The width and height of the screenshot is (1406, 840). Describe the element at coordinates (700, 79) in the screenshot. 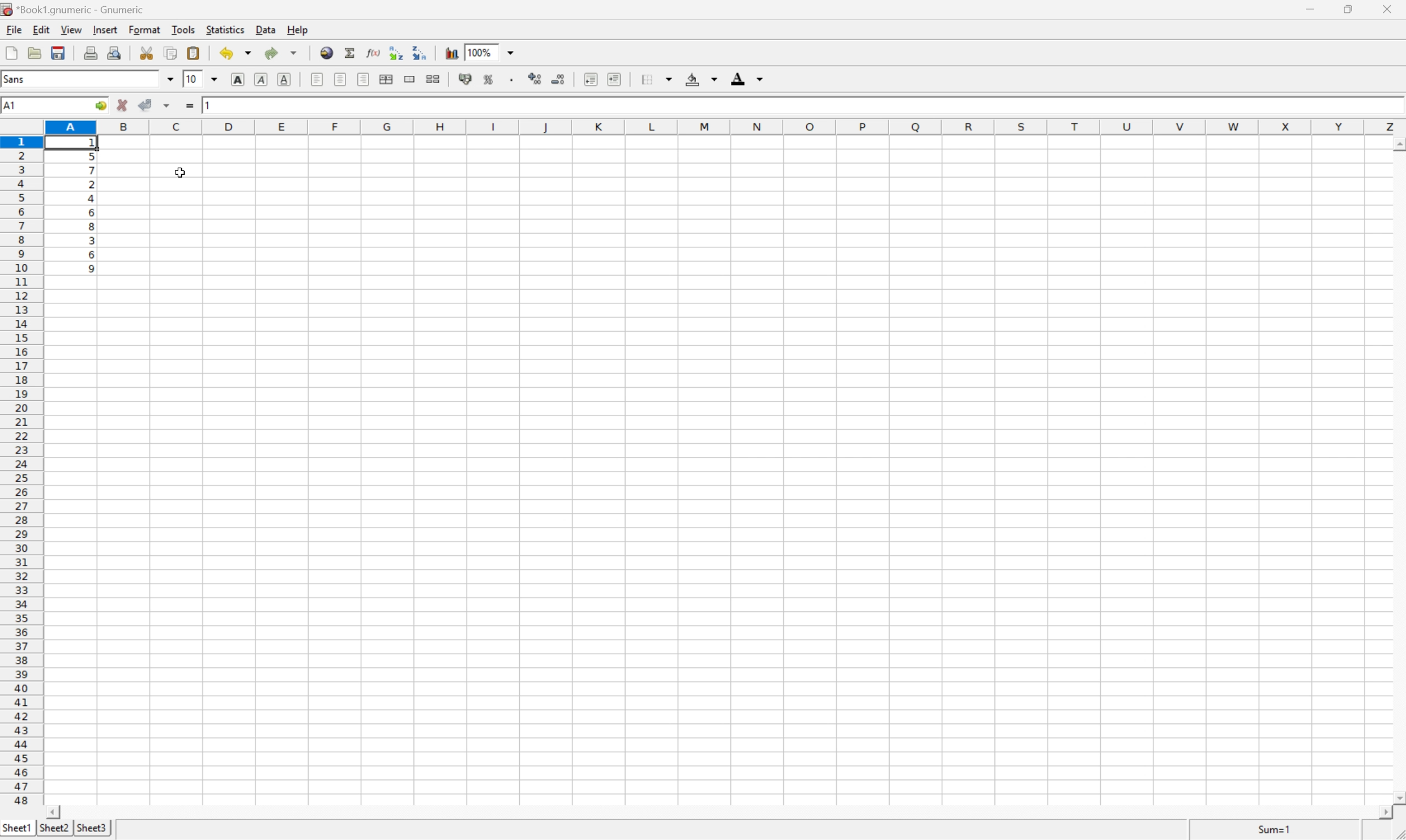

I see `background` at that location.